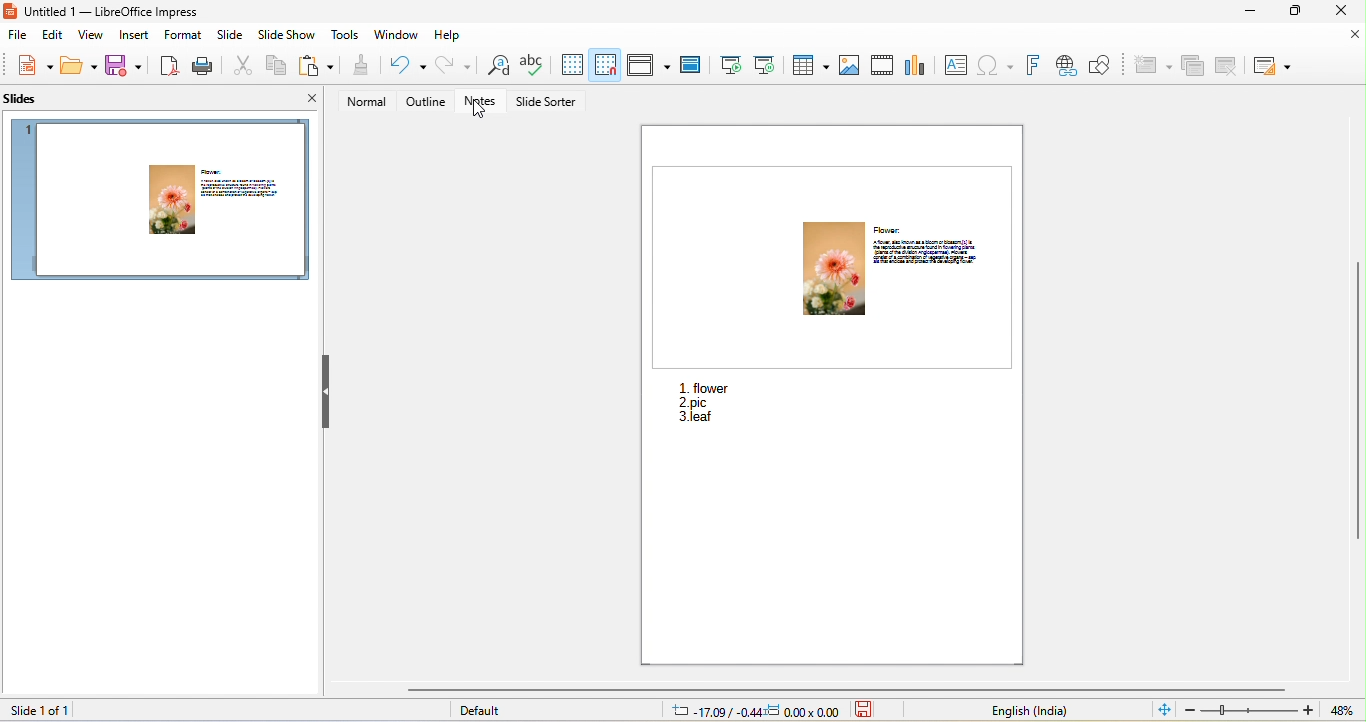 The height and width of the screenshot is (722, 1366). Describe the element at coordinates (844, 689) in the screenshot. I see `horizontal scrollbar` at that location.